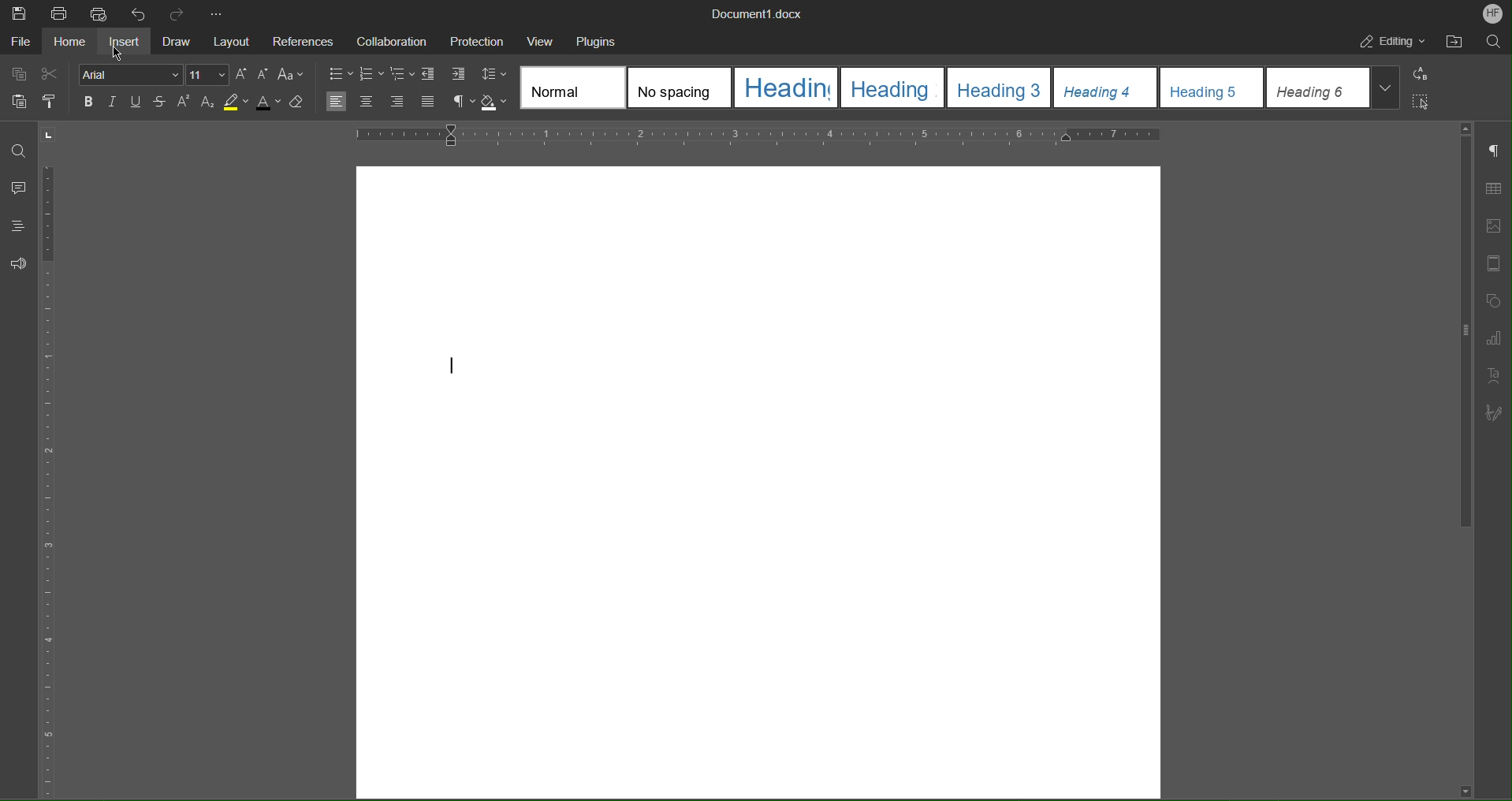 The image size is (1512, 801). Describe the element at coordinates (1459, 42) in the screenshot. I see `Open File Location` at that location.